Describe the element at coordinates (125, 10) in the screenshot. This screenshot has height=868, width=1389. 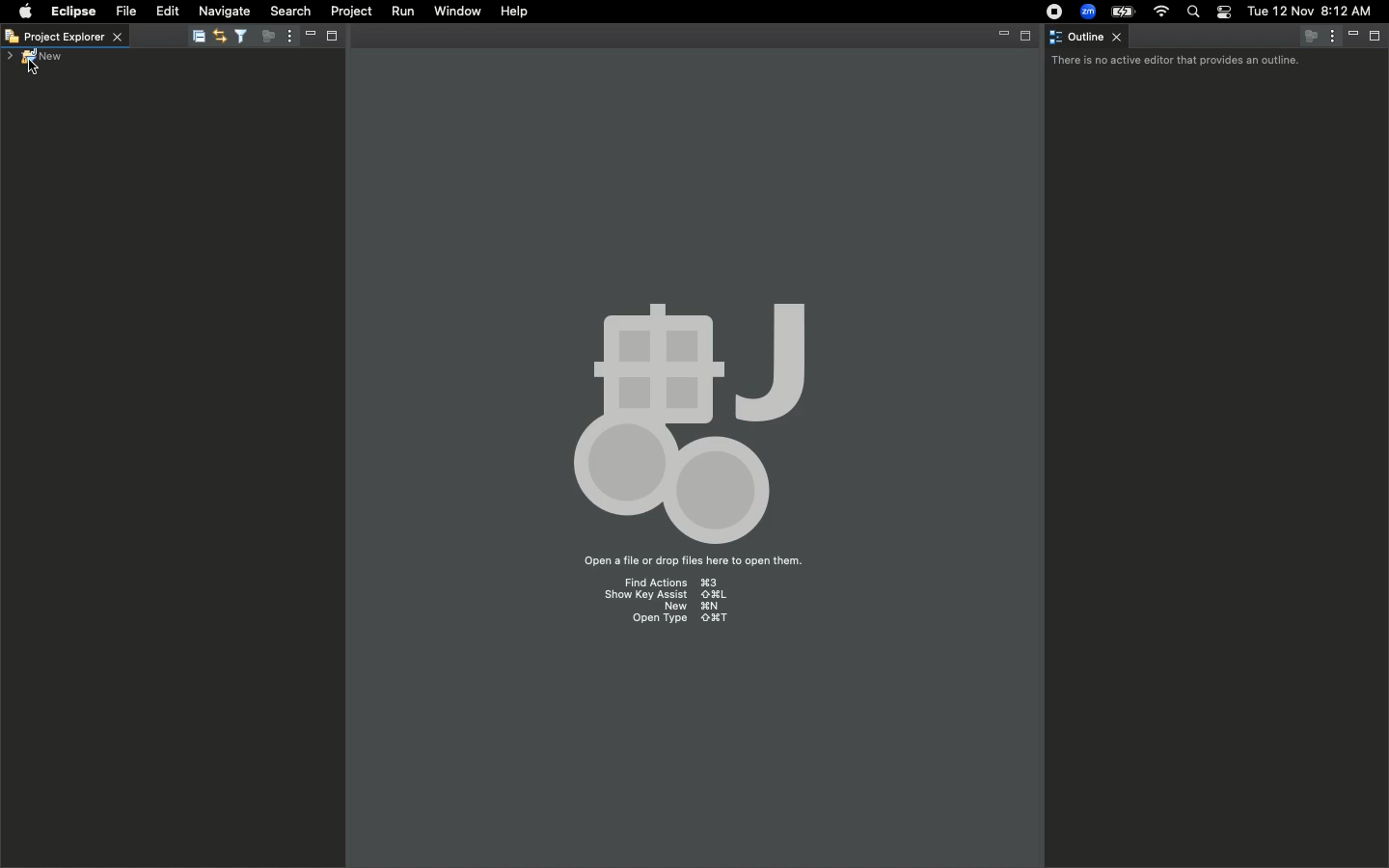
I see `File` at that location.